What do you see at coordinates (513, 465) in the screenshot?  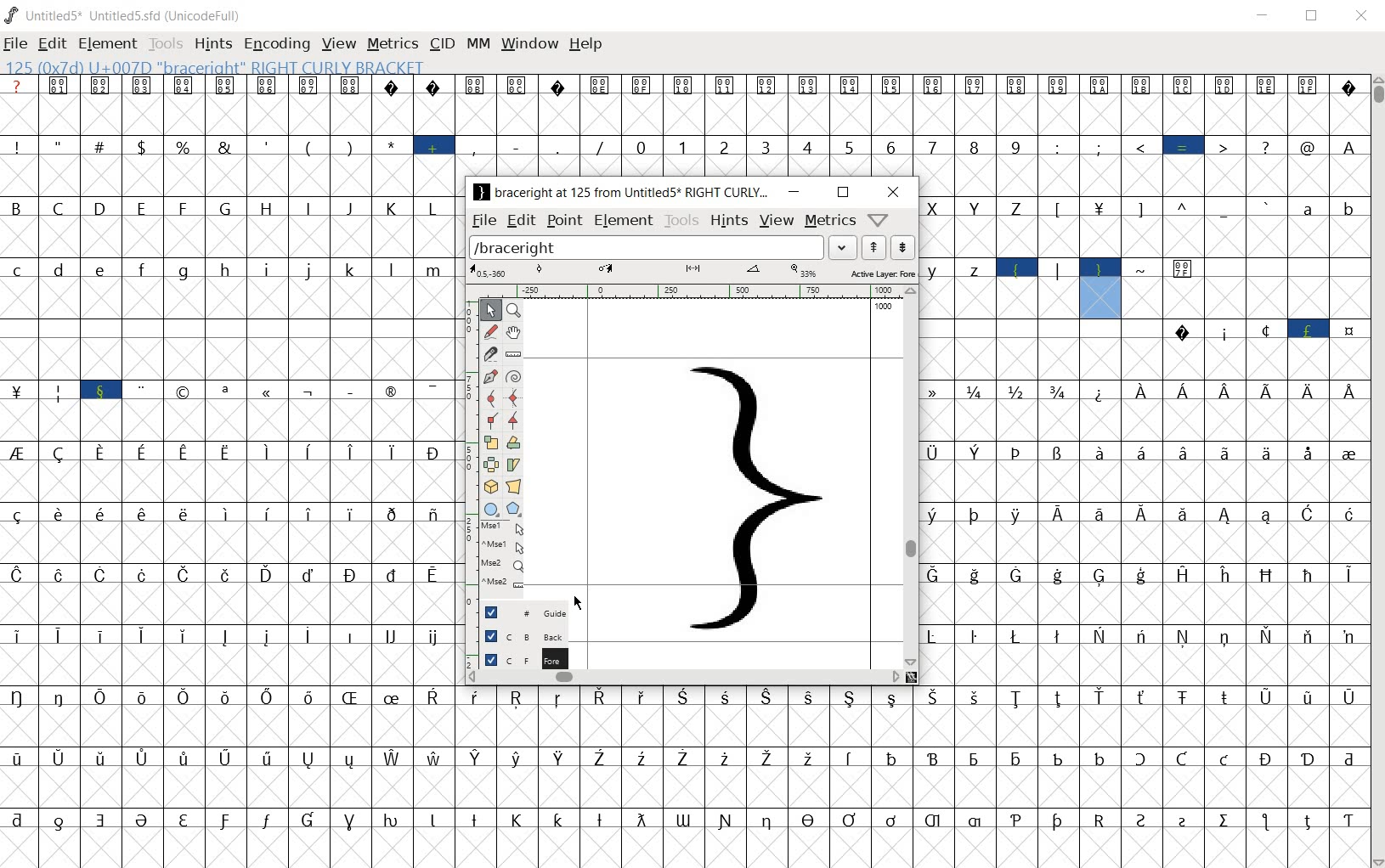 I see `Rotate the selection` at bounding box center [513, 465].